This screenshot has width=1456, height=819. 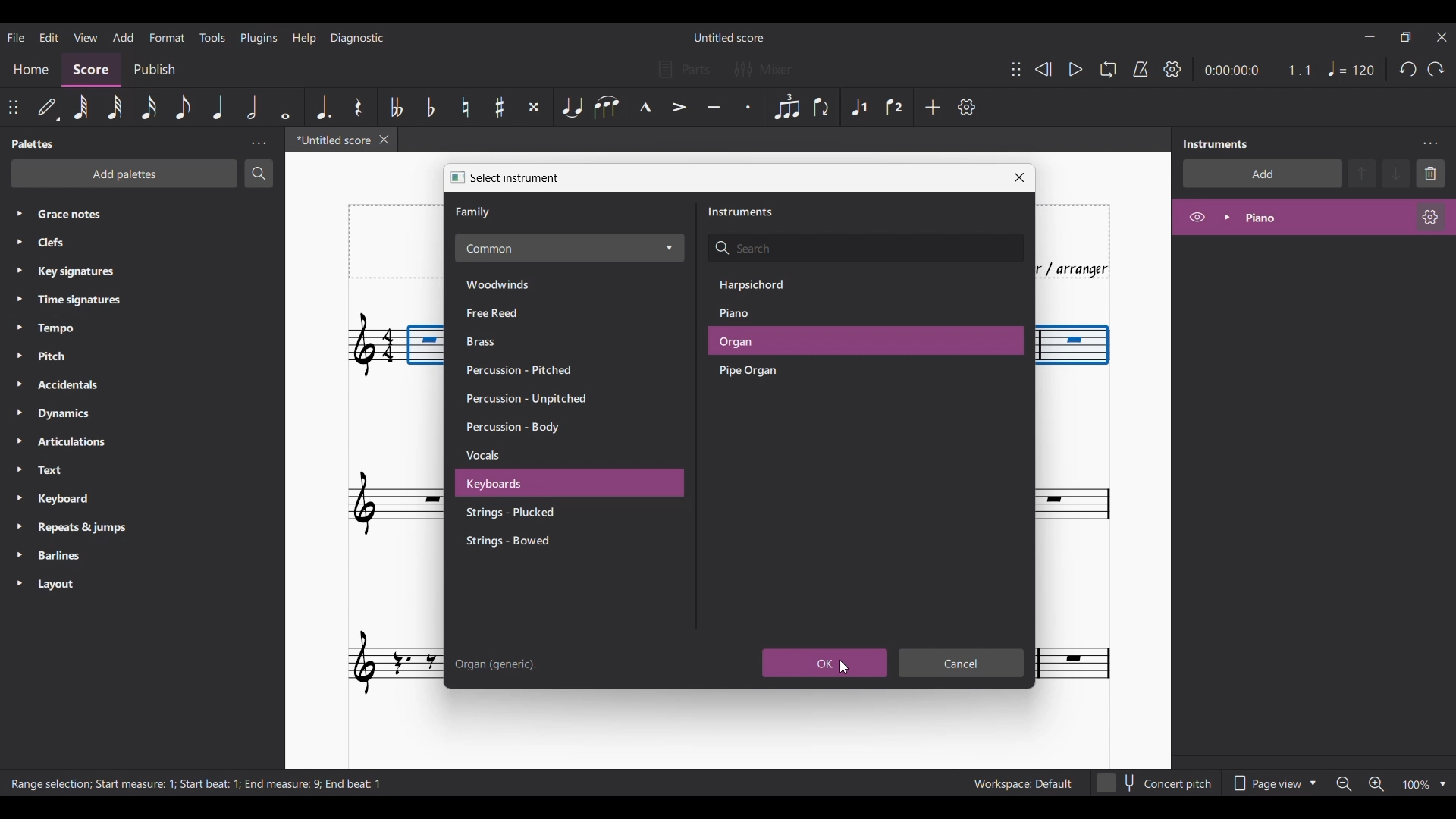 I want to click on View menu, so click(x=84, y=36).